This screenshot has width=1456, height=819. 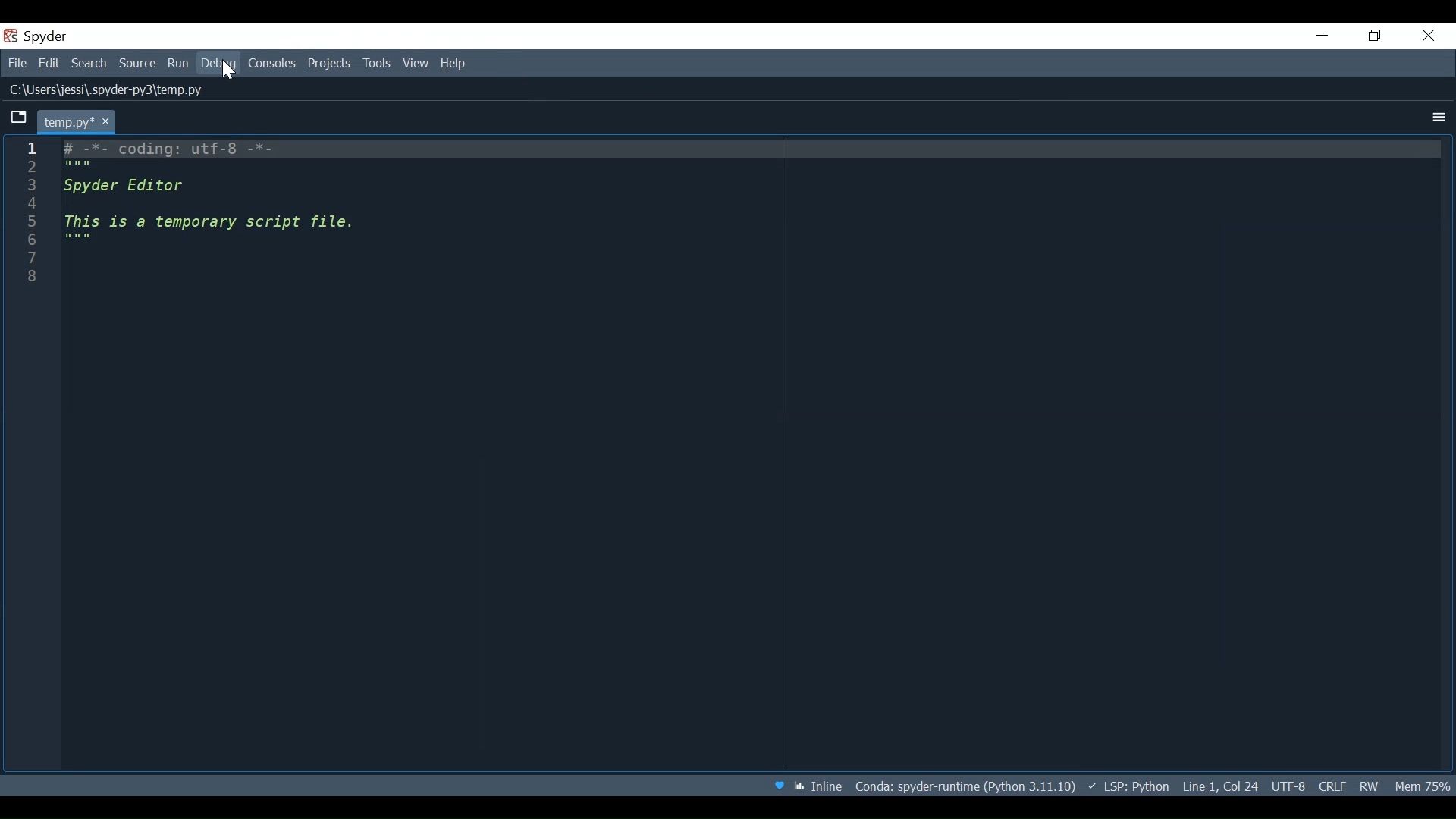 What do you see at coordinates (1127, 786) in the screenshot?
I see `Language` at bounding box center [1127, 786].